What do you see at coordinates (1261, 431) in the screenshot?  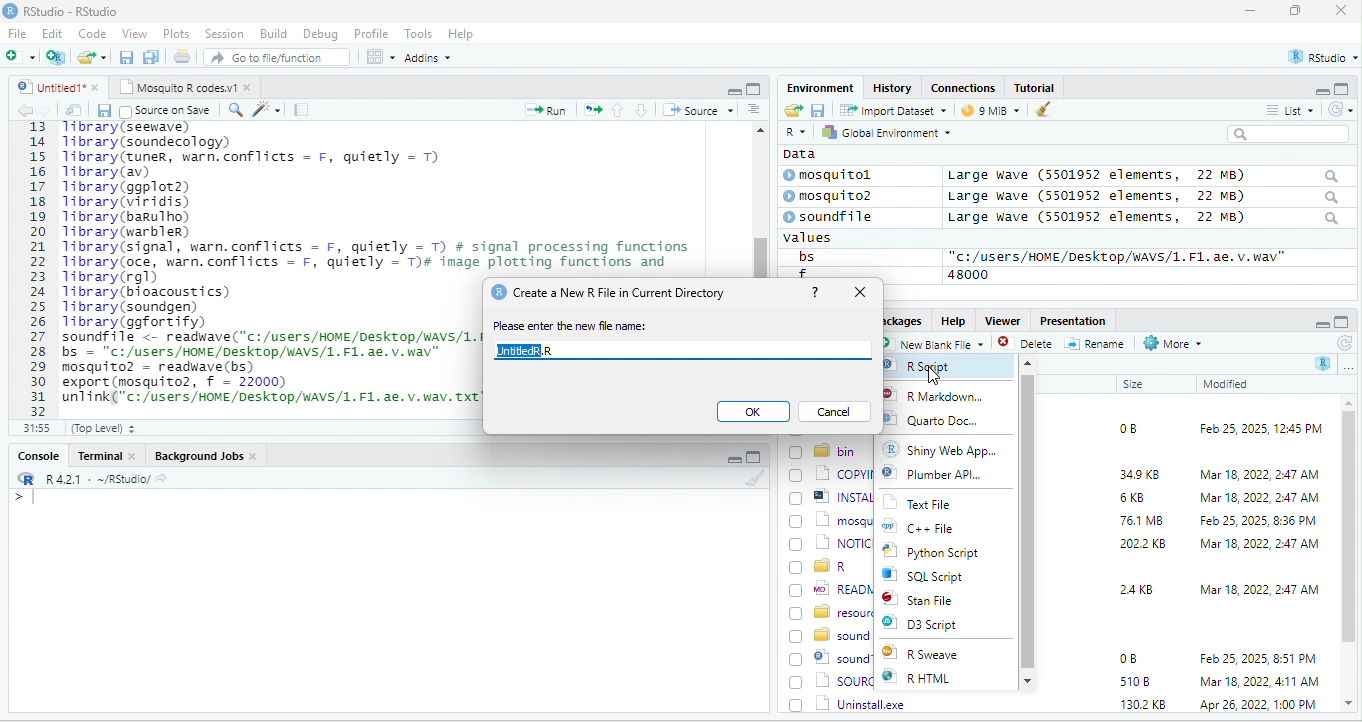 I see `Feb 25, 2025, 12:45 PM` at bounding box center [1261, 431].